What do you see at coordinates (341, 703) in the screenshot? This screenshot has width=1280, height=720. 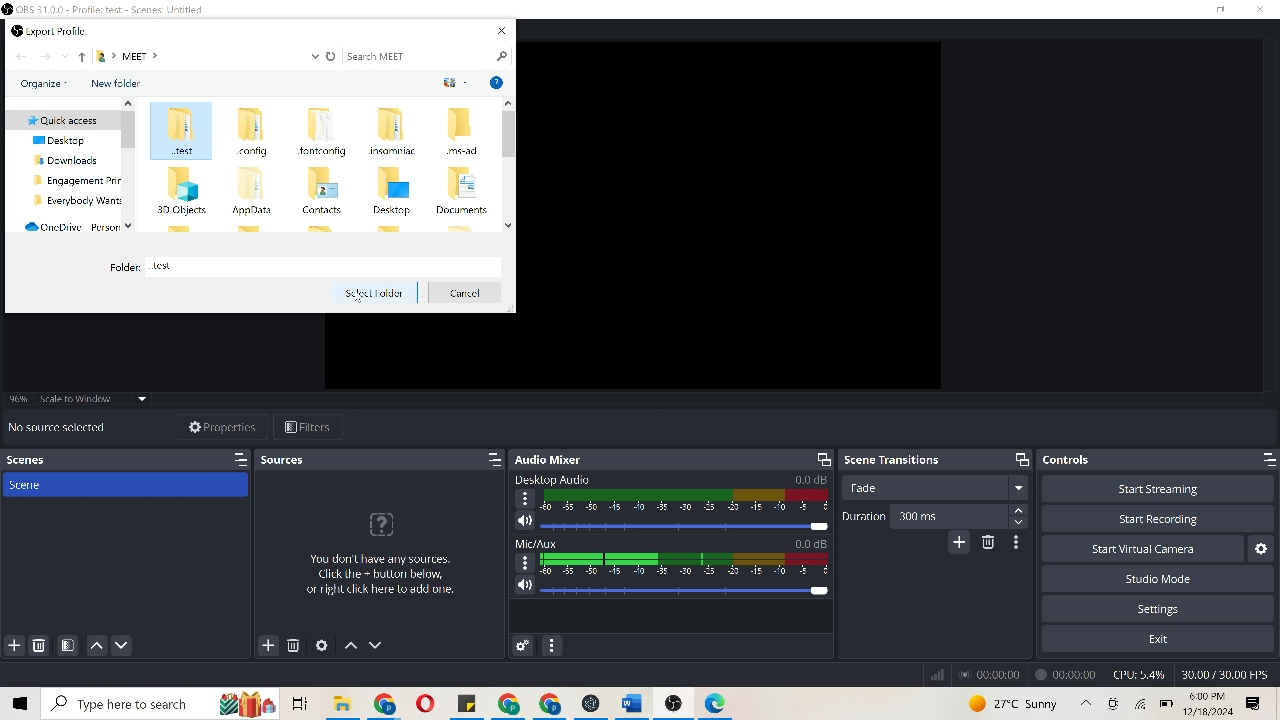 I see `folder` at bounding box center [341, 703].